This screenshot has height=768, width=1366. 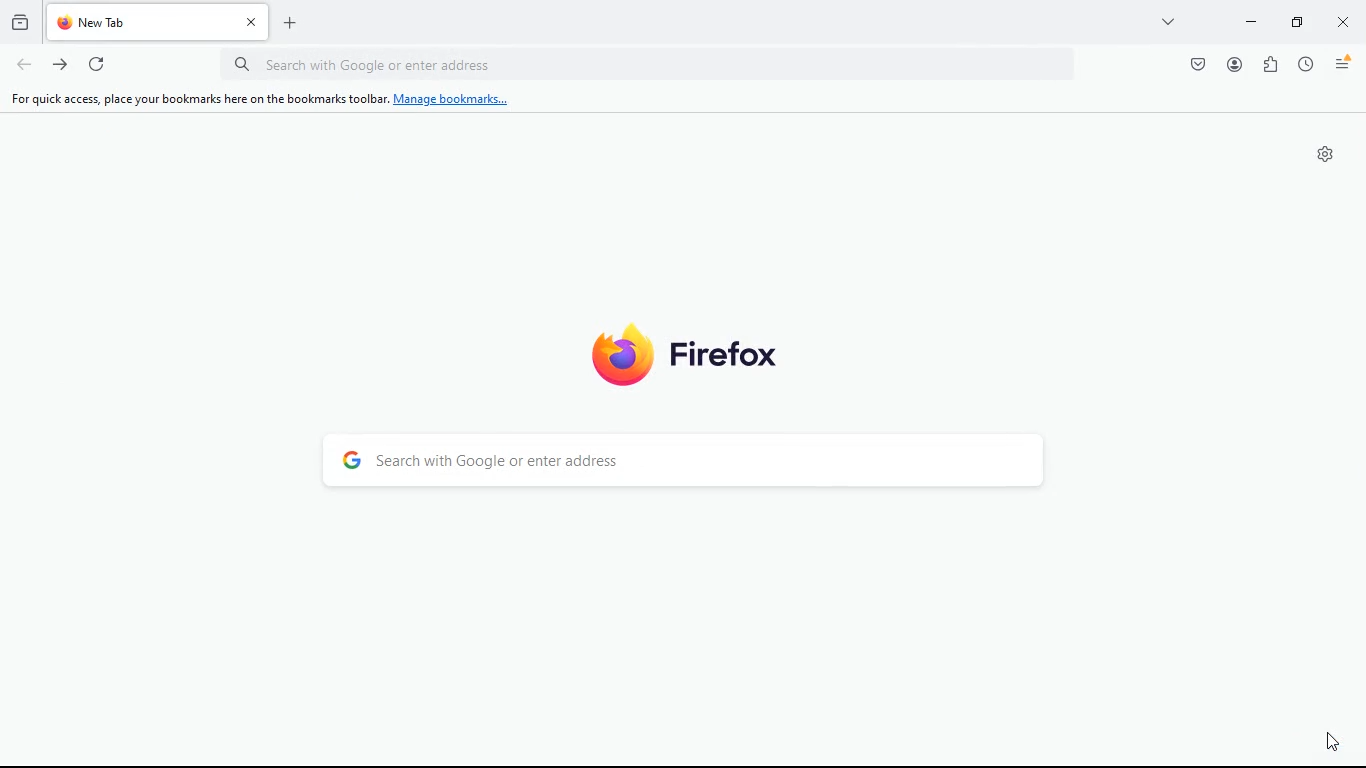 I want to click on extensions, so click(x=1272, y=64).